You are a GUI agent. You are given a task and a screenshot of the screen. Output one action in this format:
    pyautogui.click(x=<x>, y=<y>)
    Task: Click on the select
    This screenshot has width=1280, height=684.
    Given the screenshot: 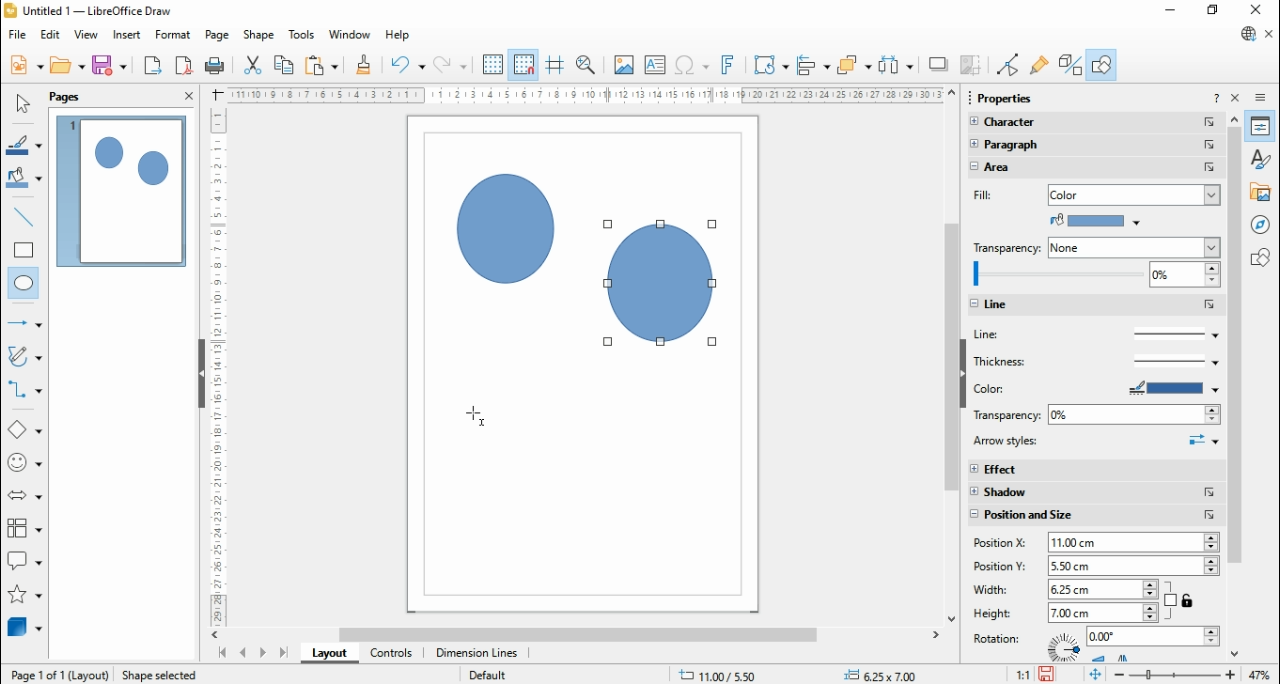 What is the action you would take?
    pyautogui.click(x=22, y=103)
    